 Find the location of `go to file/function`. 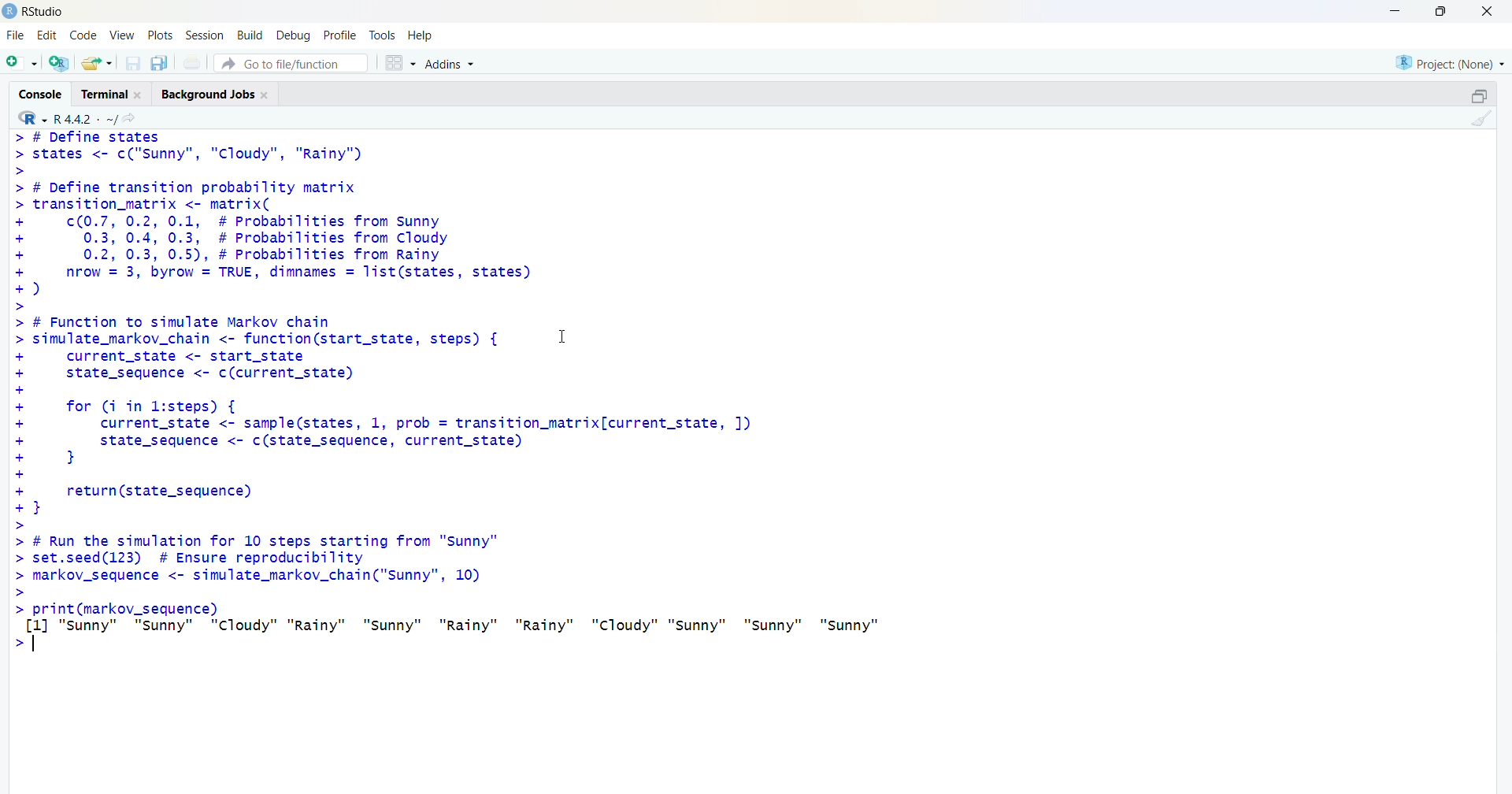

go to file/function is located at coordinates (290, 64).